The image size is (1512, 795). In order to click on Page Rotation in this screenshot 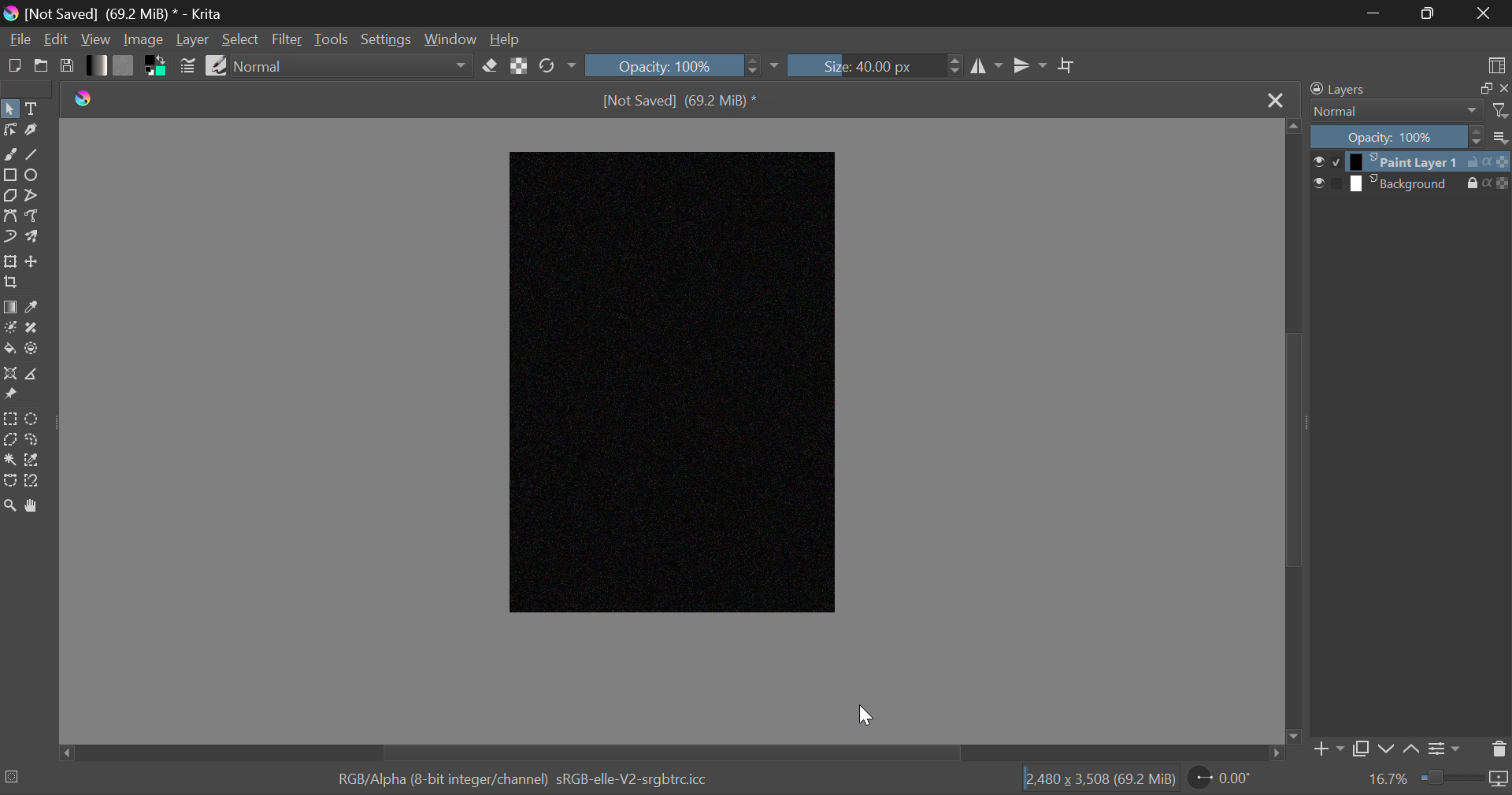, I will do `click(1223, 780)`.